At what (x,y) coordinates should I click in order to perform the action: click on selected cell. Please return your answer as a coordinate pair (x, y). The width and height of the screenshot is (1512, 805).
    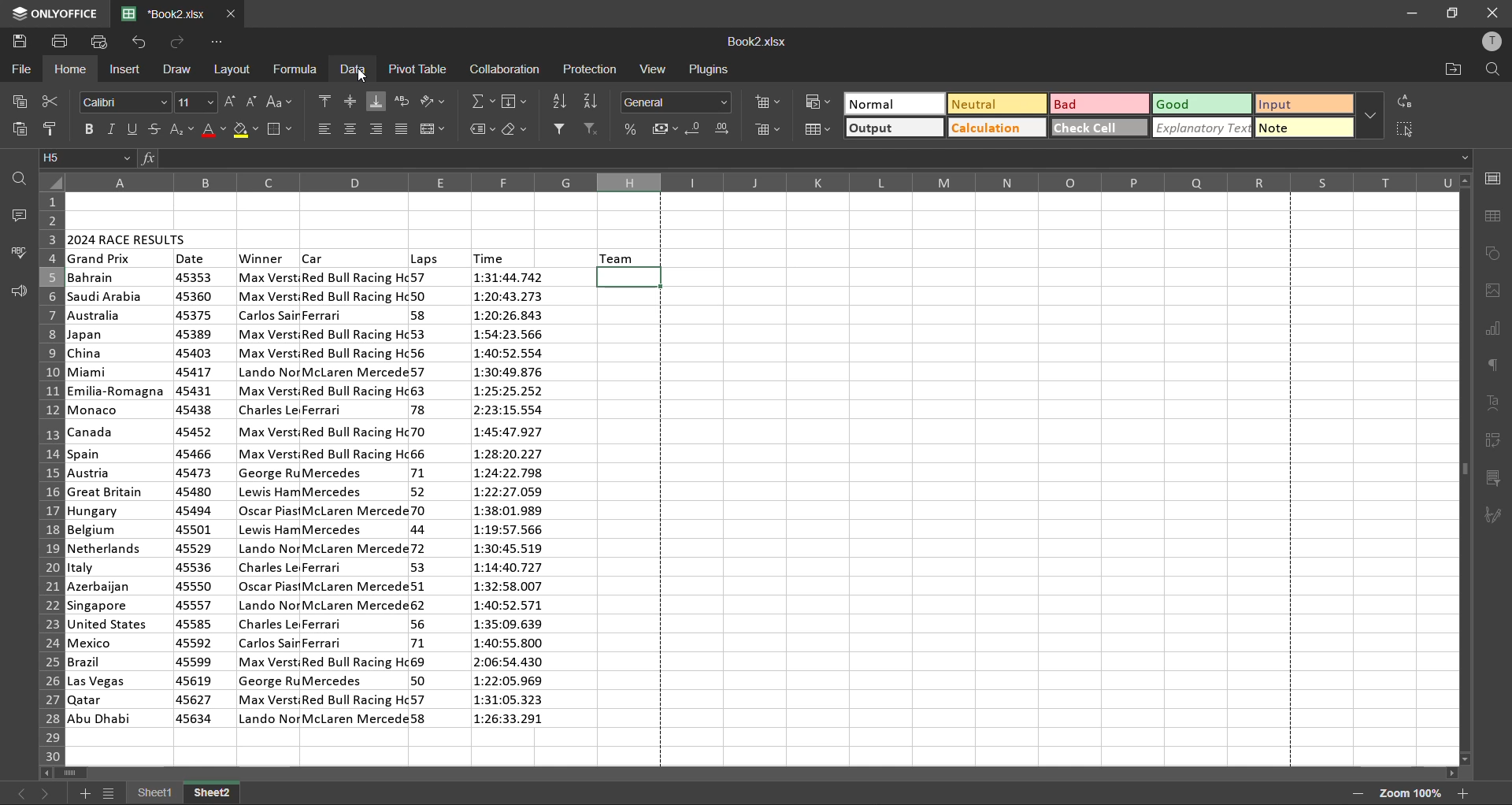
    Looking at the image, I should click on (632, 277).